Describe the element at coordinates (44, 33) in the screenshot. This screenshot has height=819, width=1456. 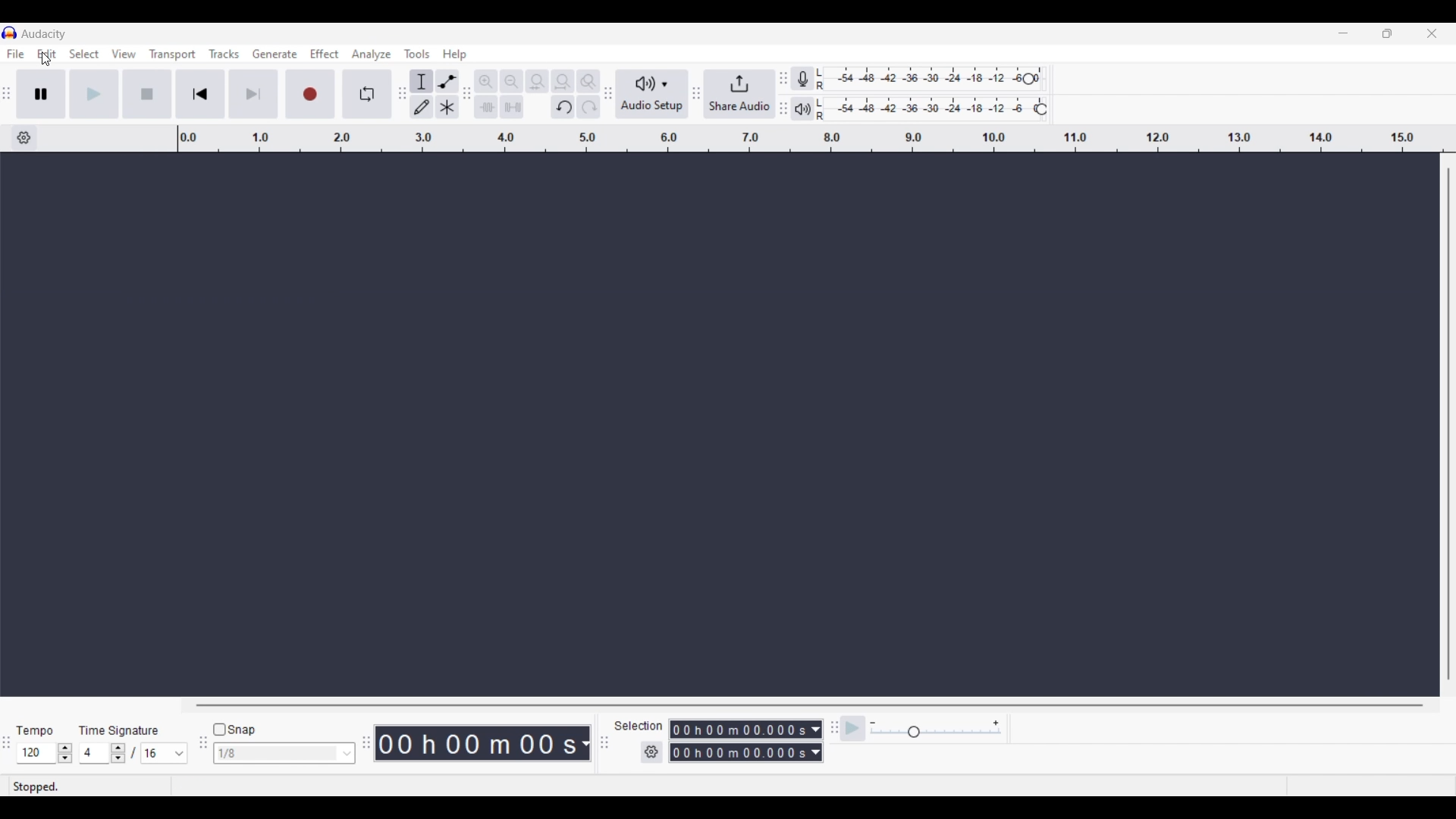
I see `Software name` at that location.